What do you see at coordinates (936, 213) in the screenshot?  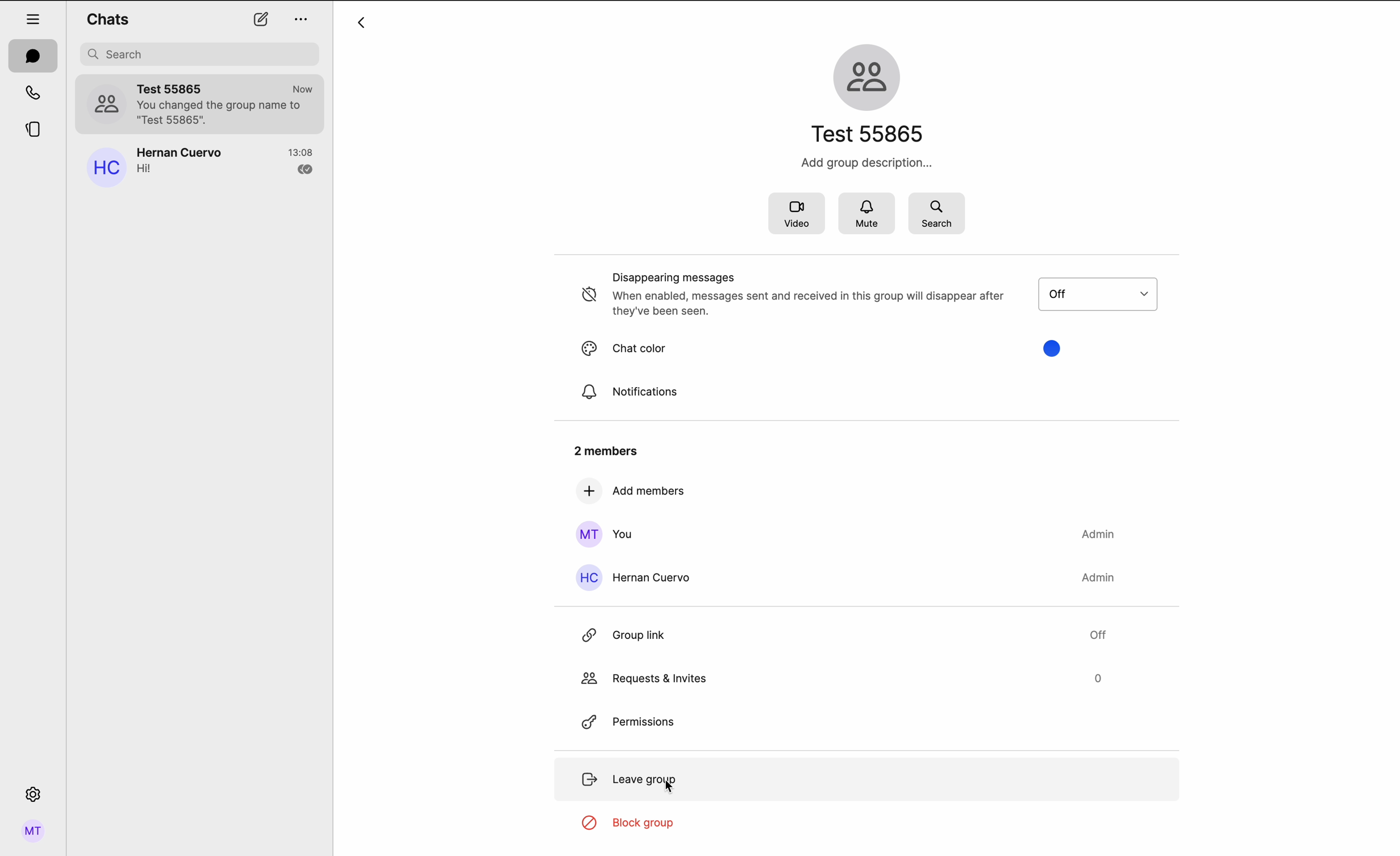 I see `search button` at bounding box center [936, 213].